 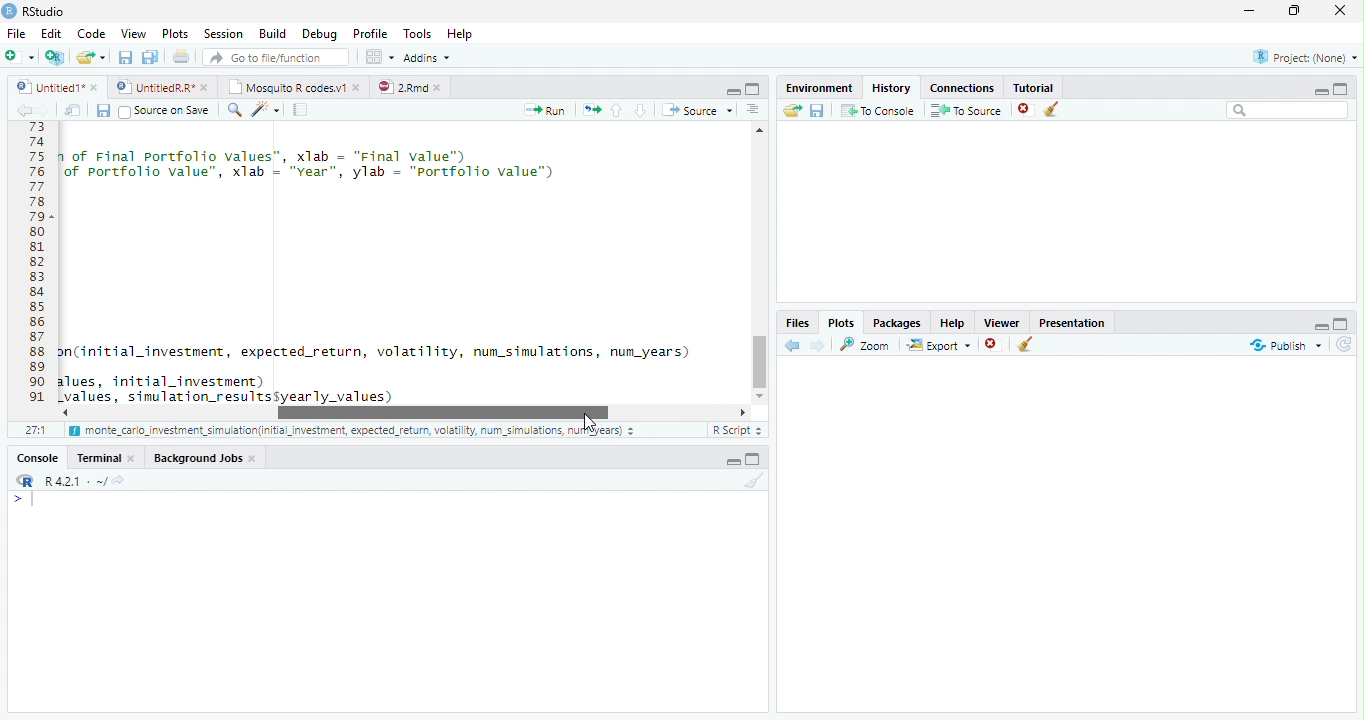 What do you see at coordinates (1319, 324) in the screenshot?
I see `Hide` at bounding box center [1319, 324].